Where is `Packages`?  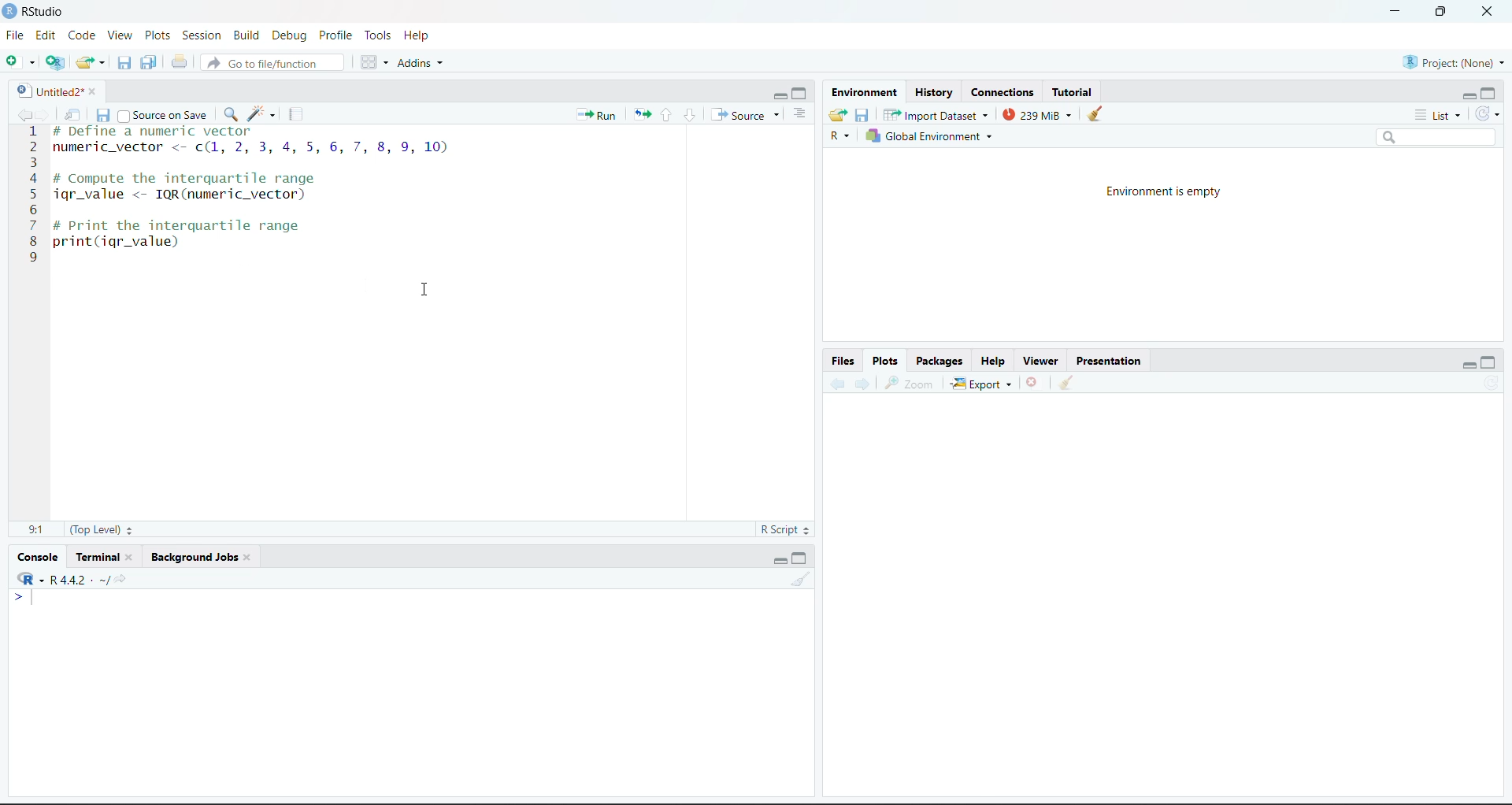 Packages is located at coordinates (941, 361).